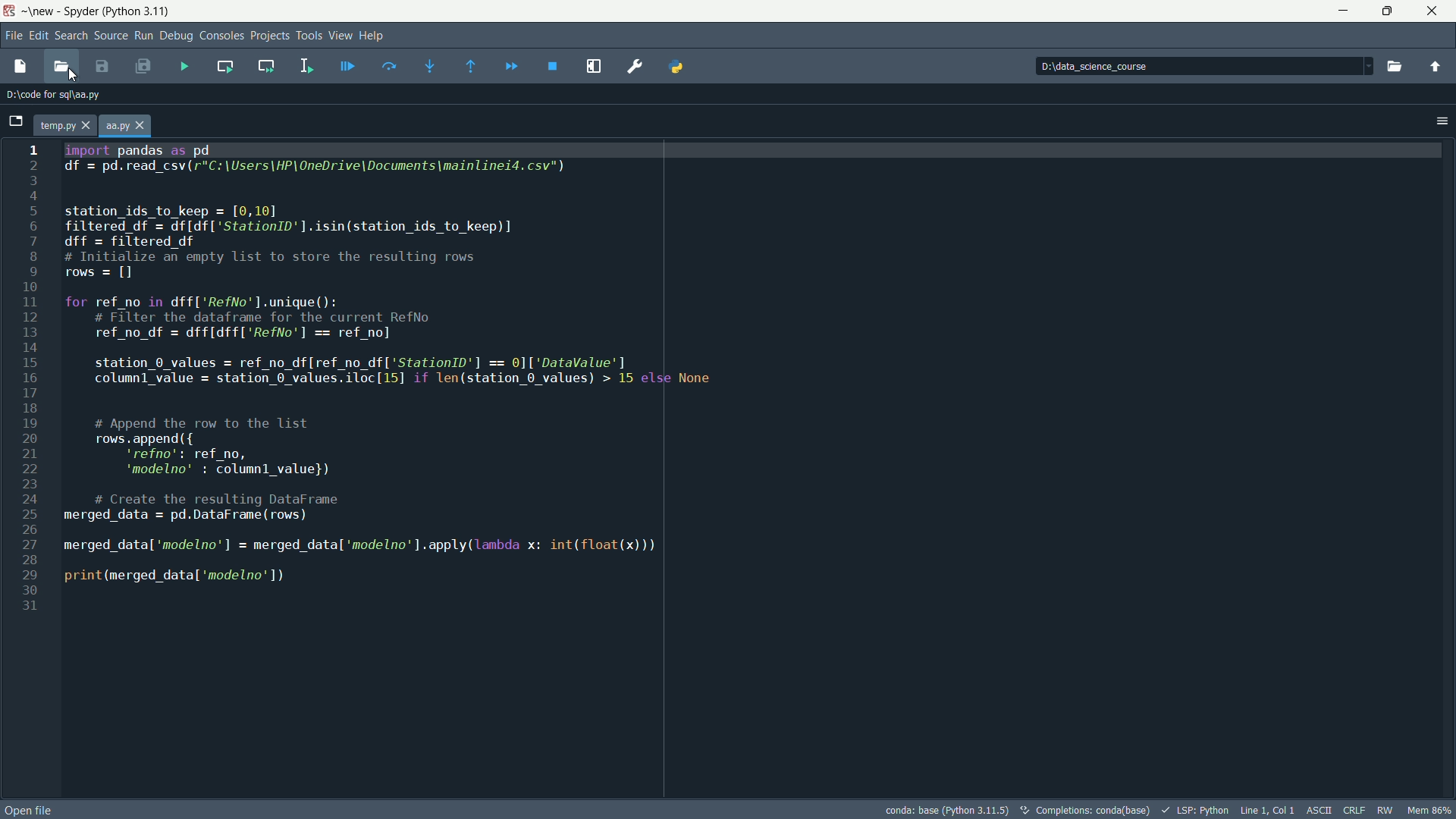 Image resolution: width=1456 pixels, height=819 pixels. I want to click on run current cell, so click(221, 67).